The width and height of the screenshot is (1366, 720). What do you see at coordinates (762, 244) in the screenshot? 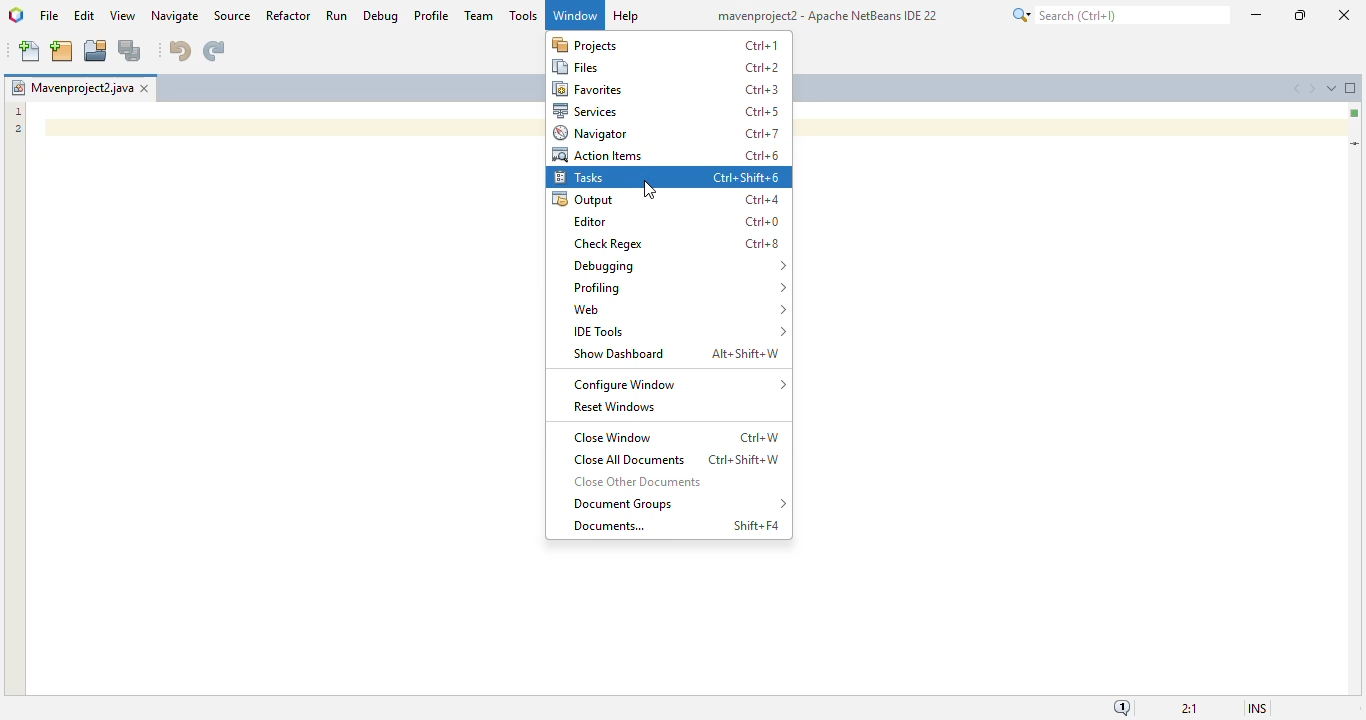
I see `shortcut for check regex` at bounding box center [762, 244].